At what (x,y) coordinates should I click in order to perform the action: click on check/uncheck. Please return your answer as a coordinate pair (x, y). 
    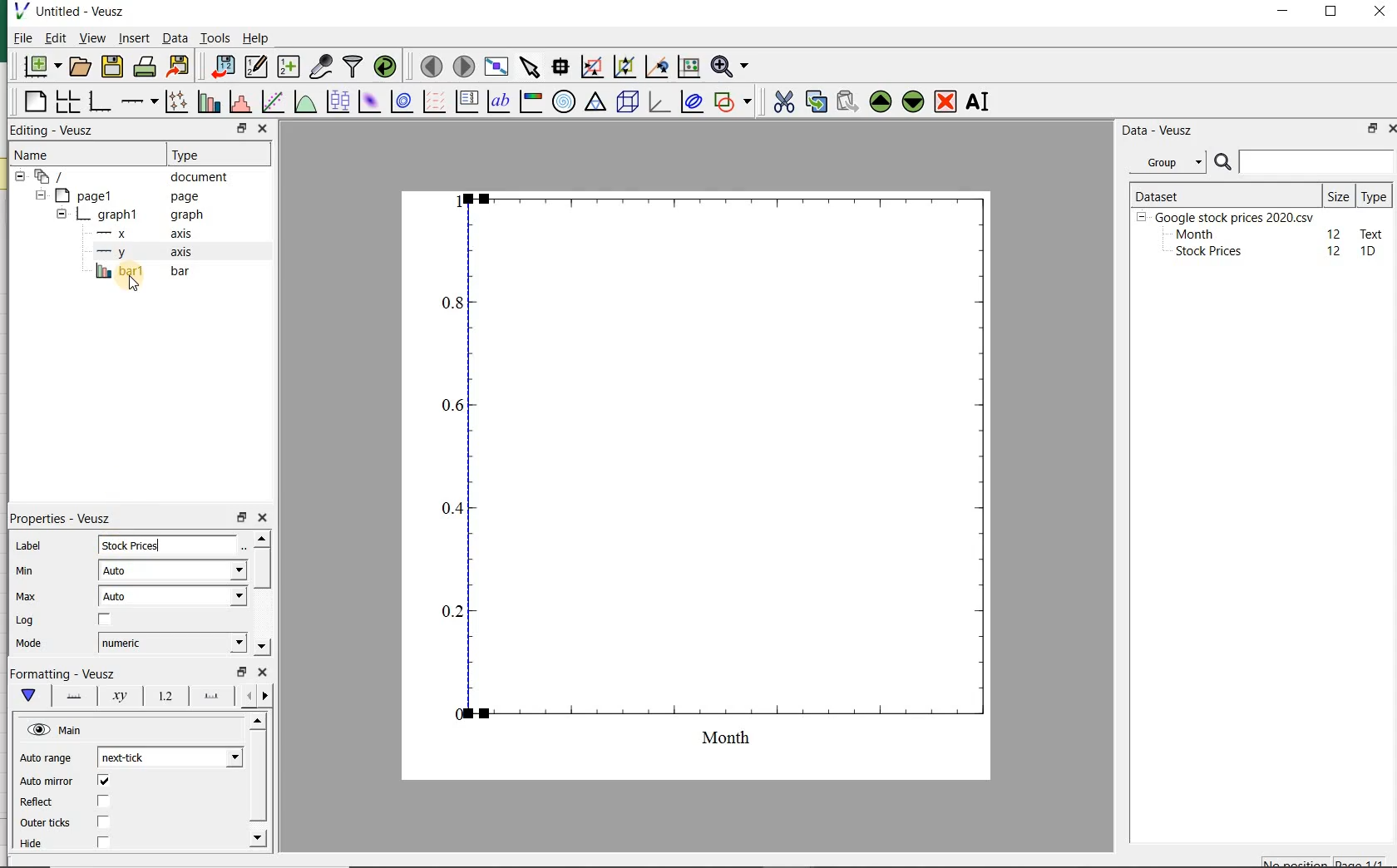
    Looking at the image, I should click on (102, 801).